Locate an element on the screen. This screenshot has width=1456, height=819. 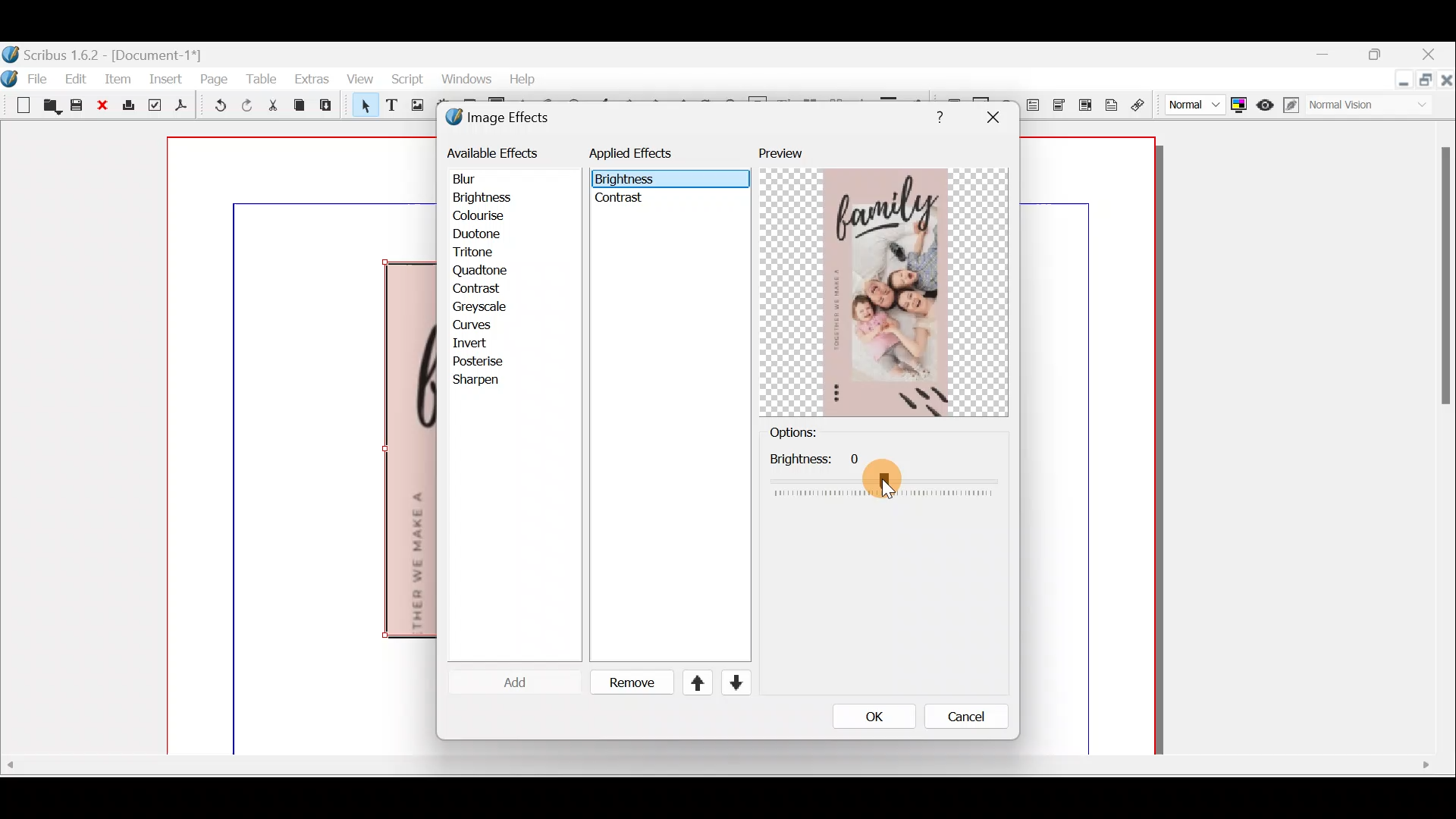
Remove is located at coordinates (626, 683).